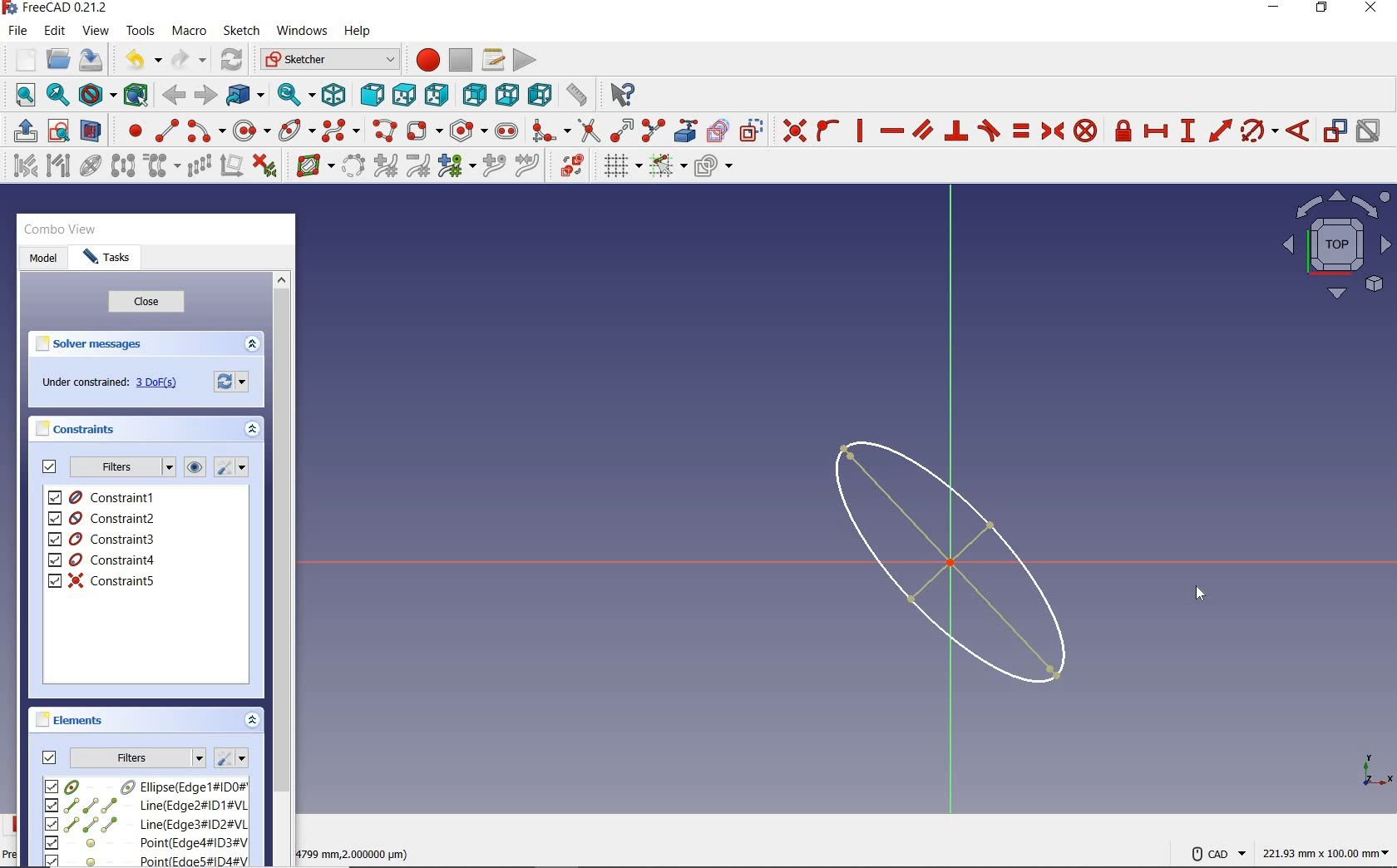  What do you see at coordinates (990, 129) in the screenshot?
I see `constrain tangent` at bounding box center [990, 129].